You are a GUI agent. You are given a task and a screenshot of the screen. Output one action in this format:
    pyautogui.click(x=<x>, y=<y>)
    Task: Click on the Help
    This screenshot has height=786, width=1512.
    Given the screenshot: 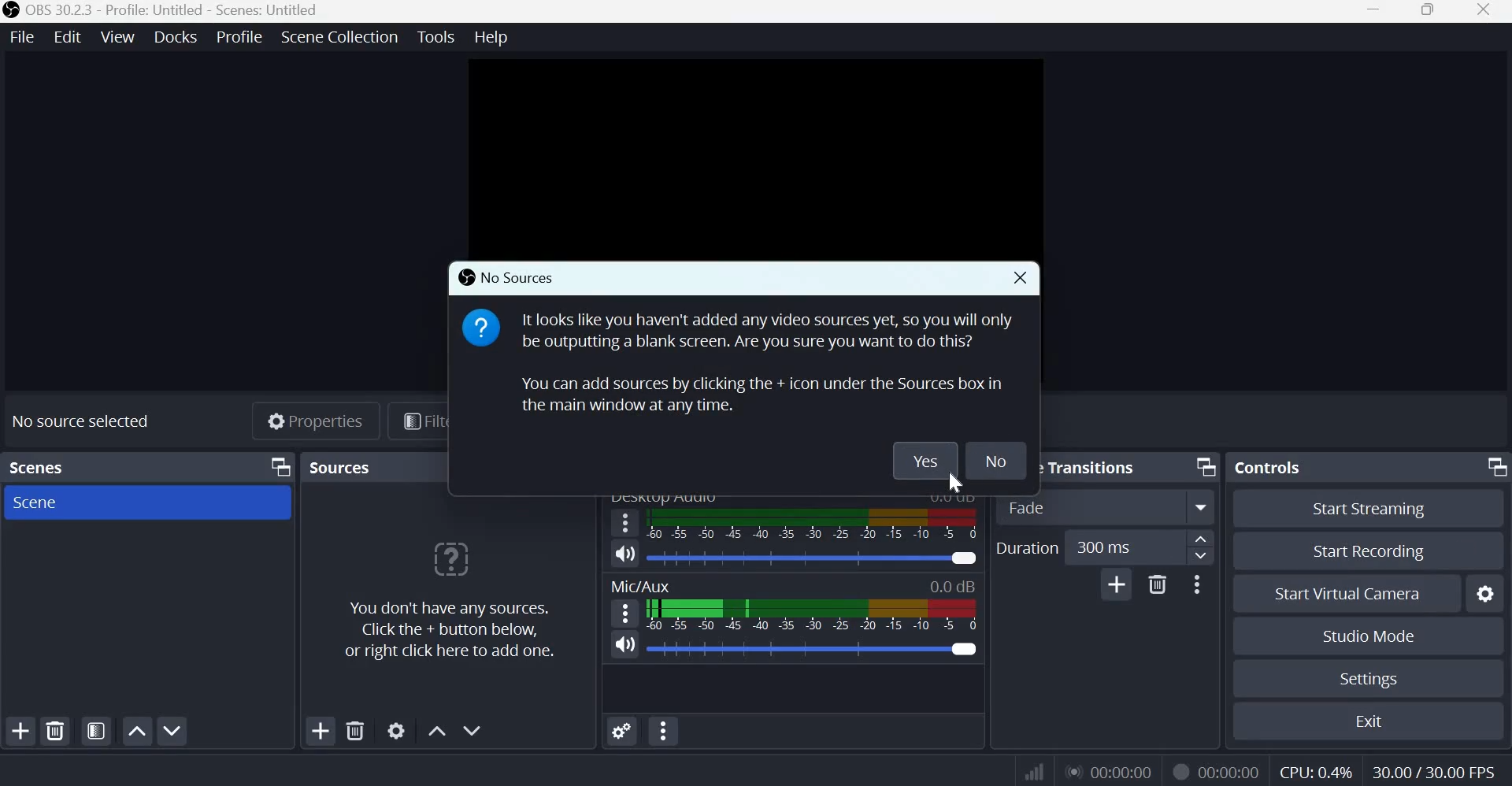 What is the action you would take?
    pyautogui.click(x=491, y=35)
    